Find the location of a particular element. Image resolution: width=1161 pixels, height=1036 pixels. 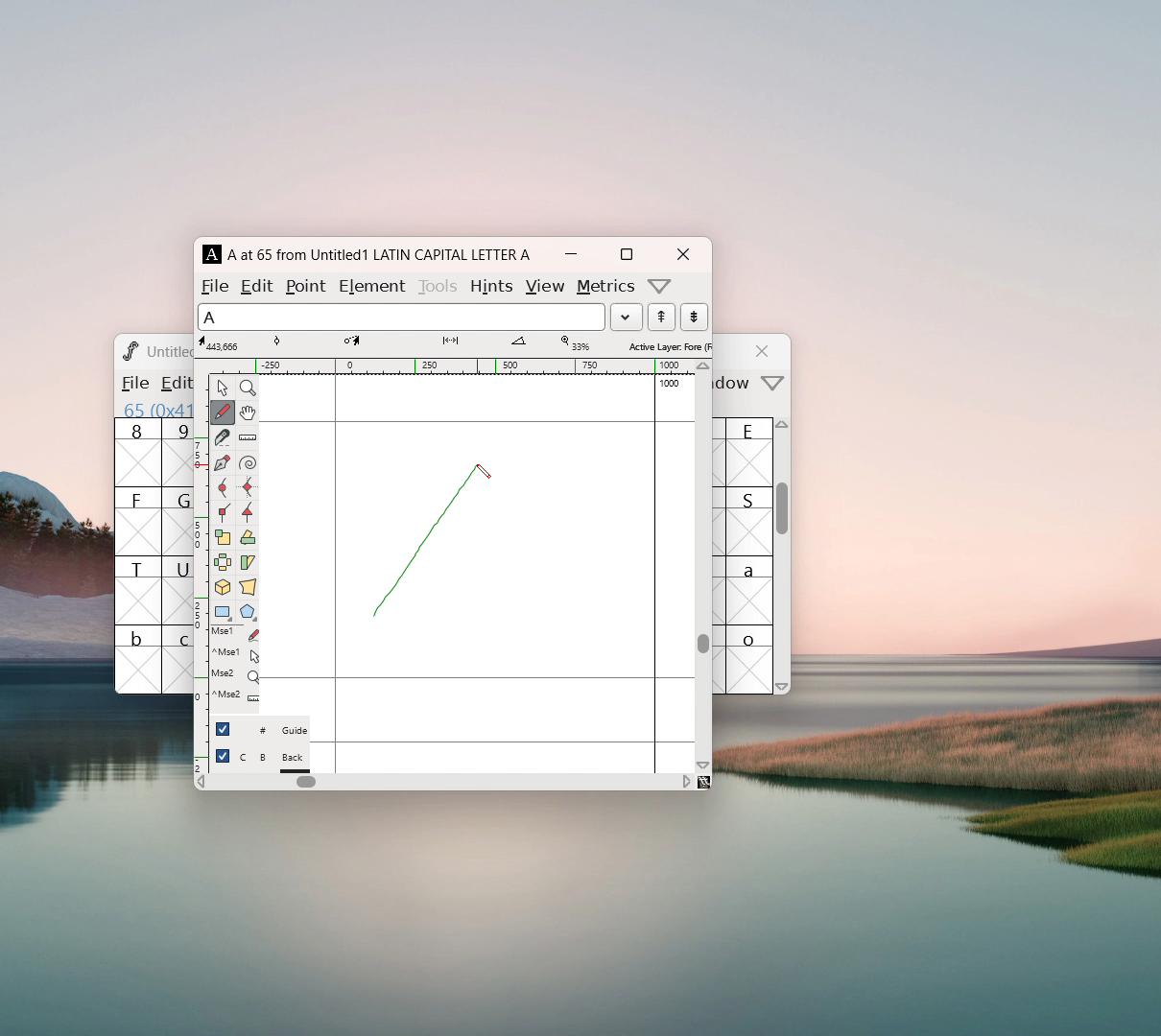

angle is located at coordinates (519, 343).